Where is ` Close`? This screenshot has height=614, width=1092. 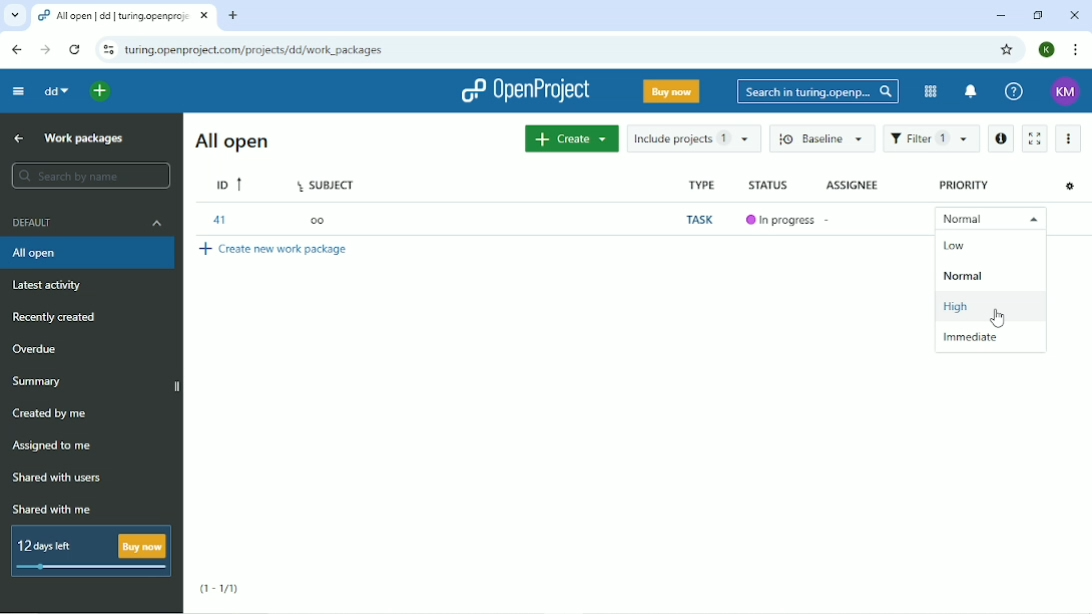
 Close is located at coordinates (1075, 14).